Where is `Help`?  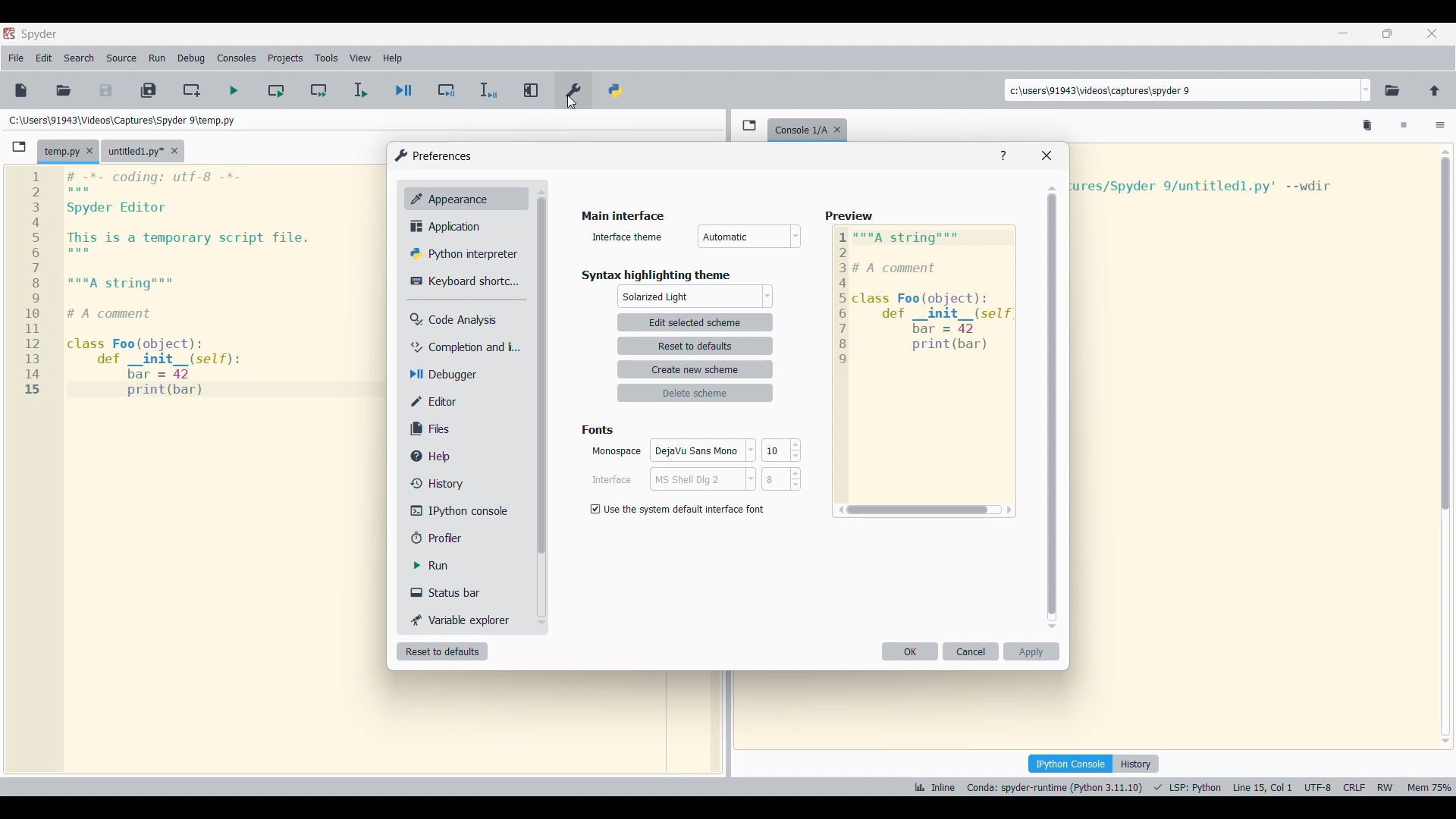 Help is located at coordinates (467, 456).